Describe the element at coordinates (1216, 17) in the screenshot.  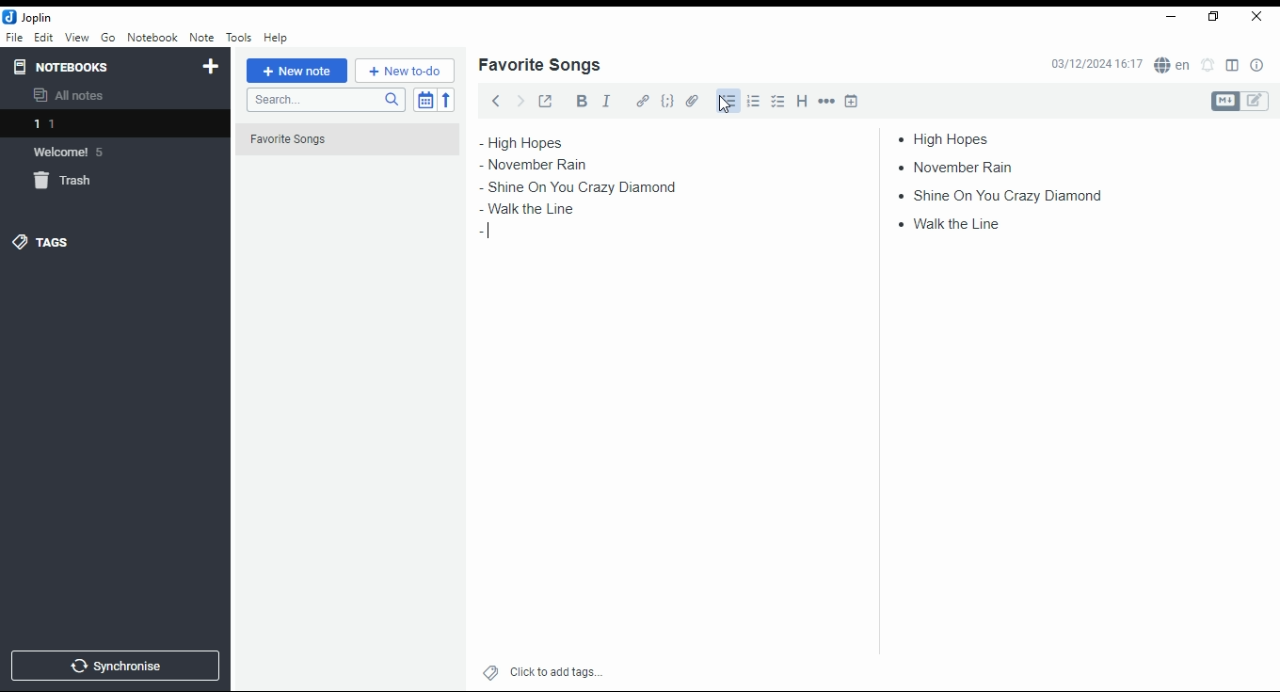
I see `restore` at that location.